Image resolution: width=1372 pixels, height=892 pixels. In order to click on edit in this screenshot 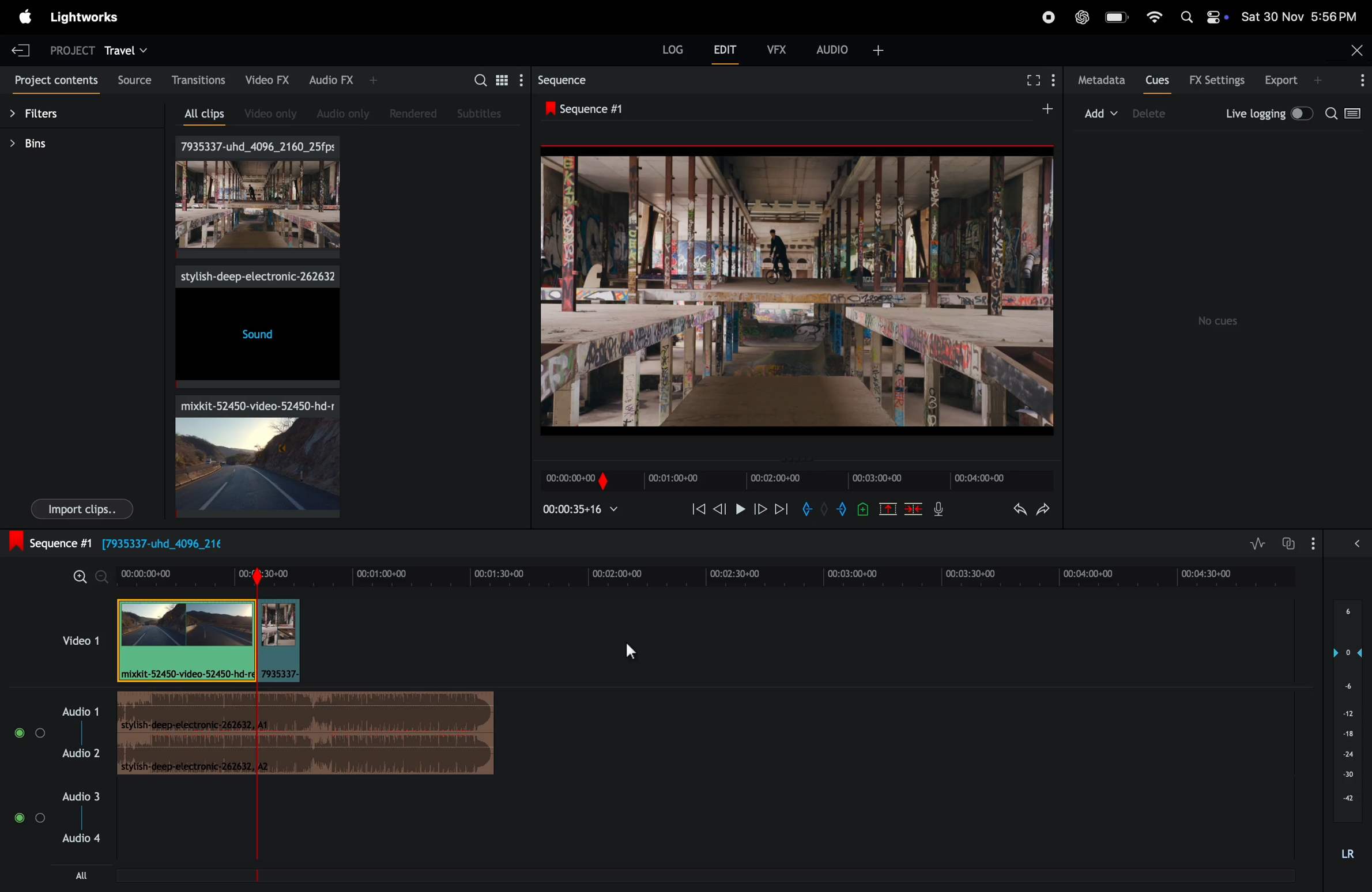, I will do `click(721, 50)`.